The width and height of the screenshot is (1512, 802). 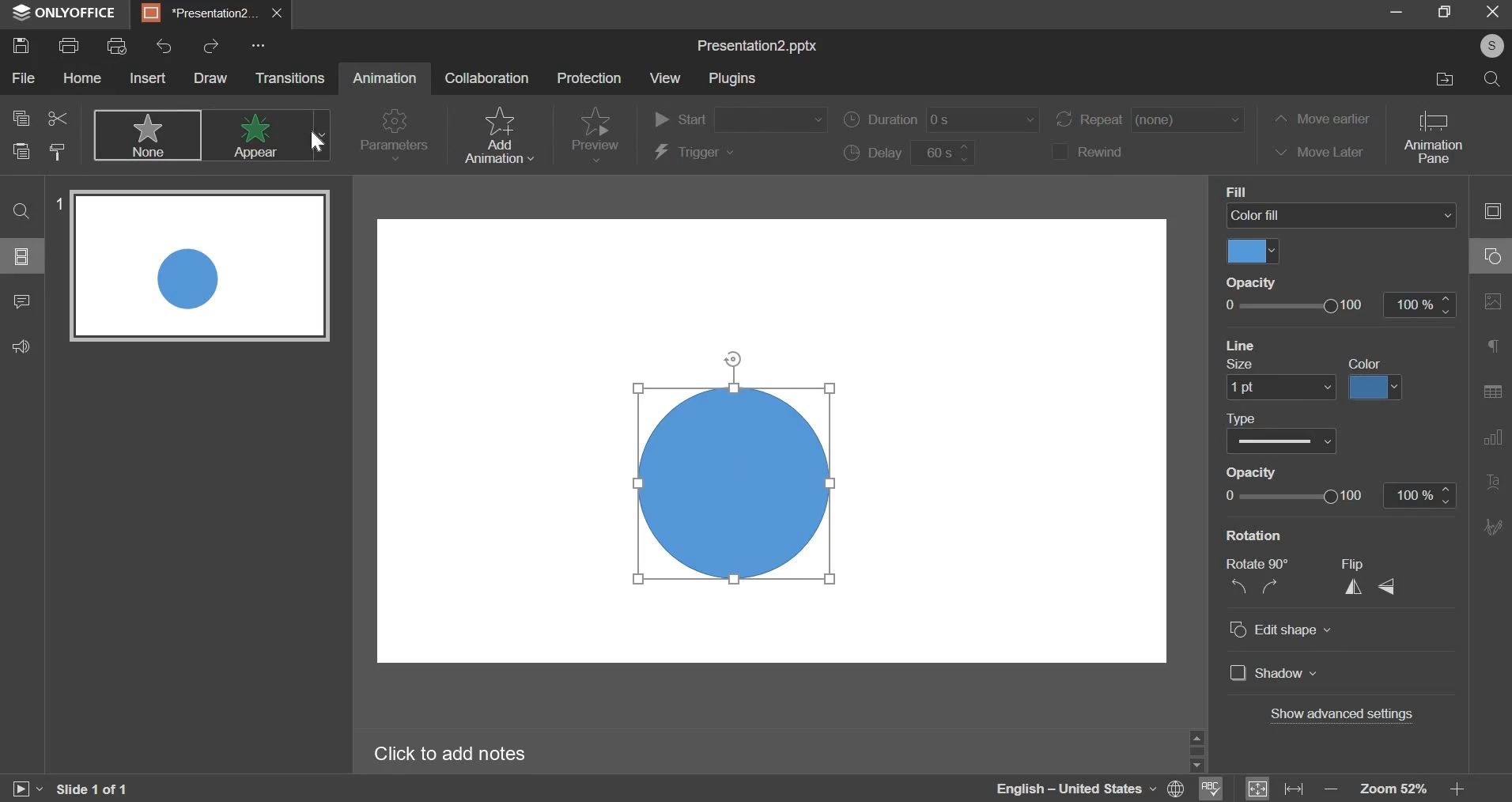 I want to click on right side bar, so click(x=1489, y=369).